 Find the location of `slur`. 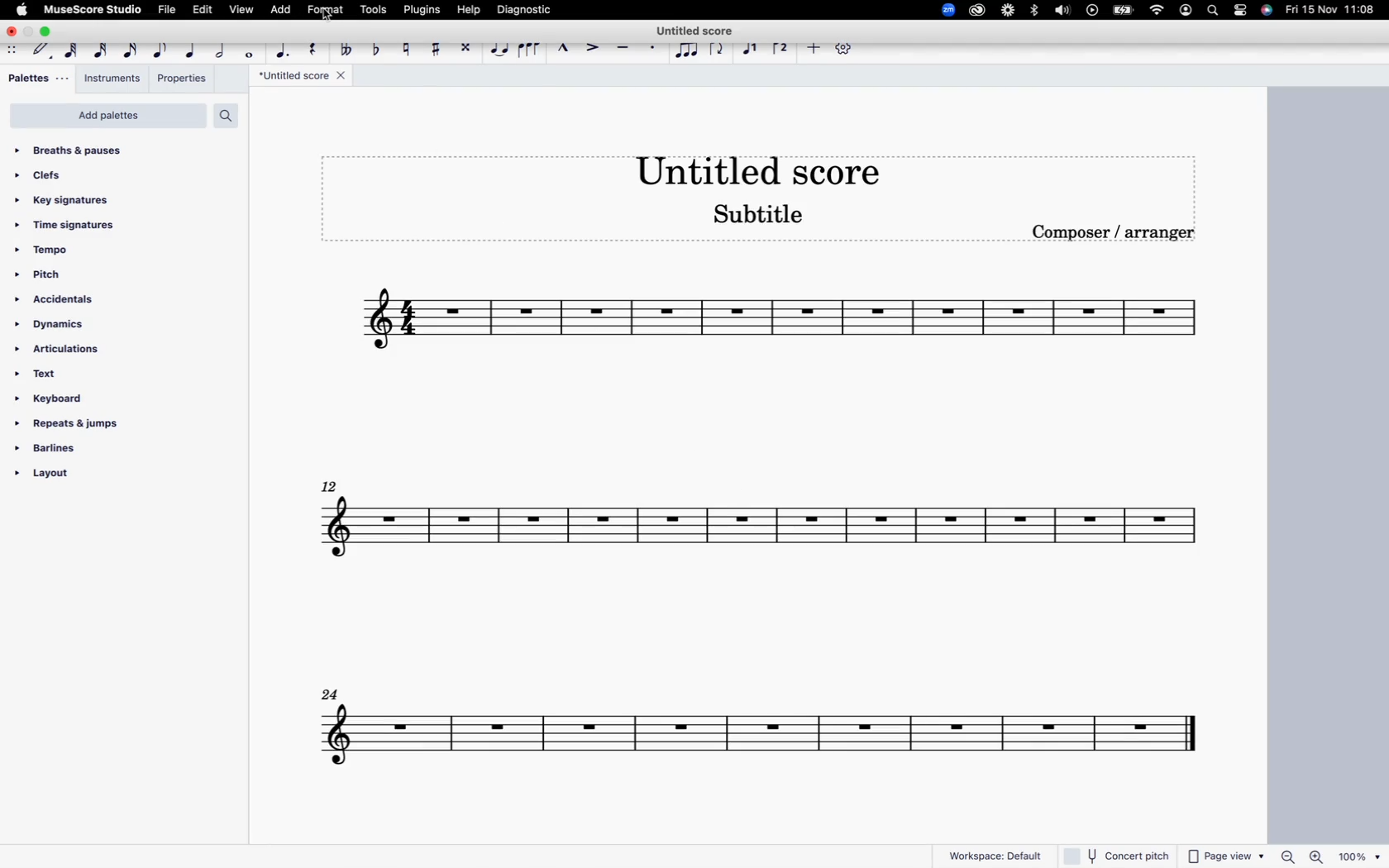

slur is located at coordinates (532, 51).